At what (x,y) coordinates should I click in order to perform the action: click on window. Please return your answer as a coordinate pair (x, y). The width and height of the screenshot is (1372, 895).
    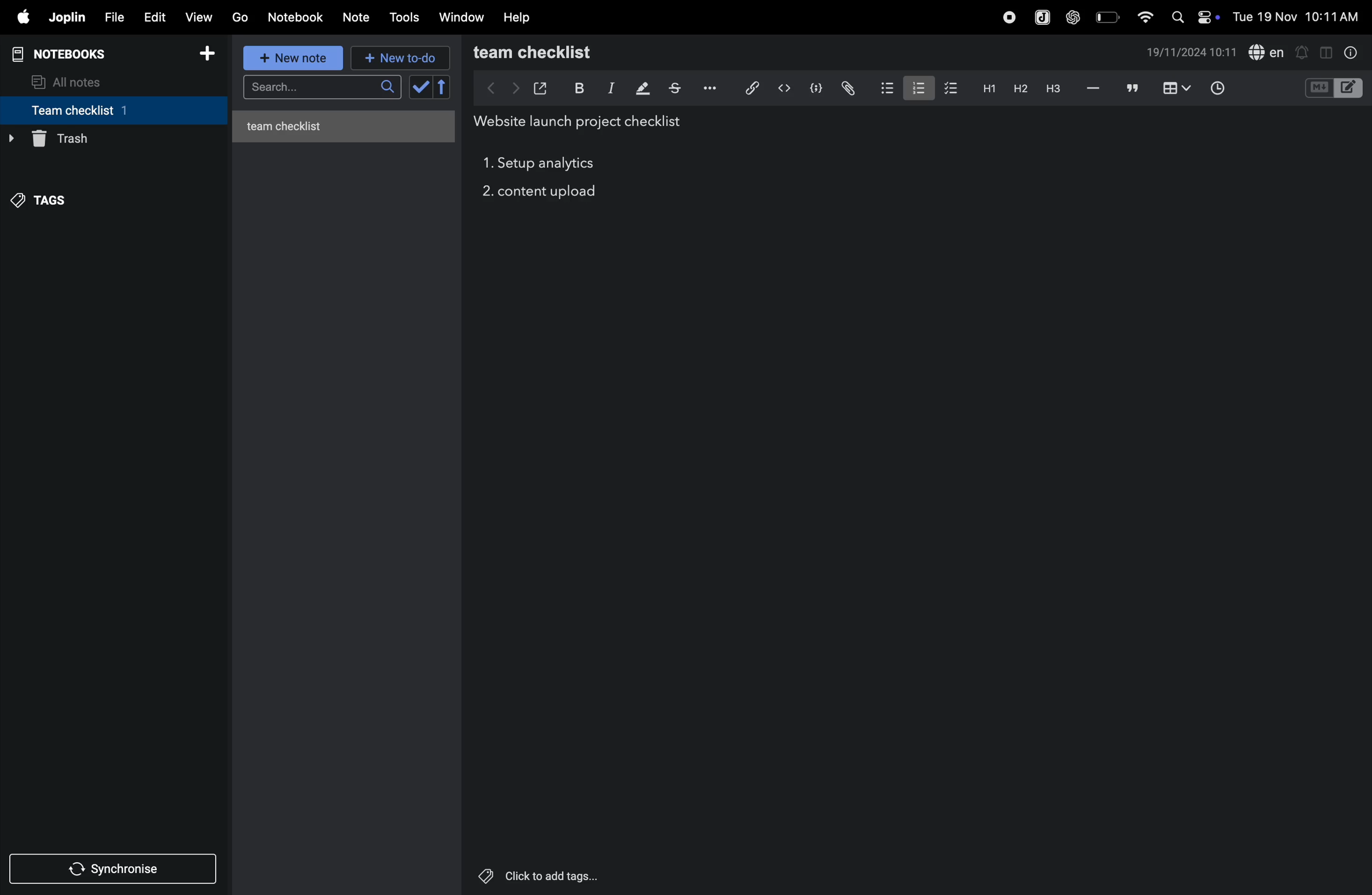
    Looking at the image, I should click on (461, 18).